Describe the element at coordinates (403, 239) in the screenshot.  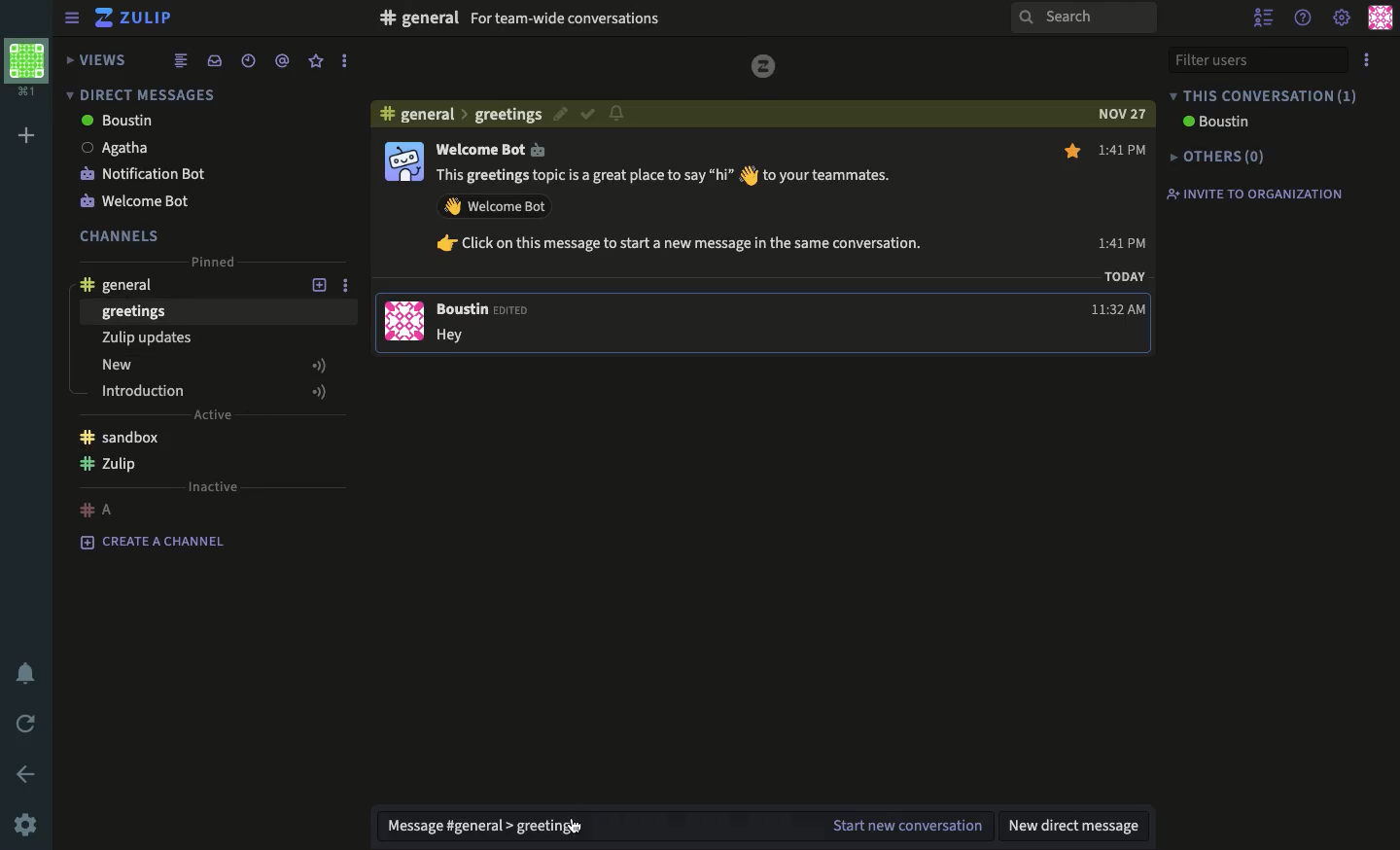
I see `user profile` at that location.